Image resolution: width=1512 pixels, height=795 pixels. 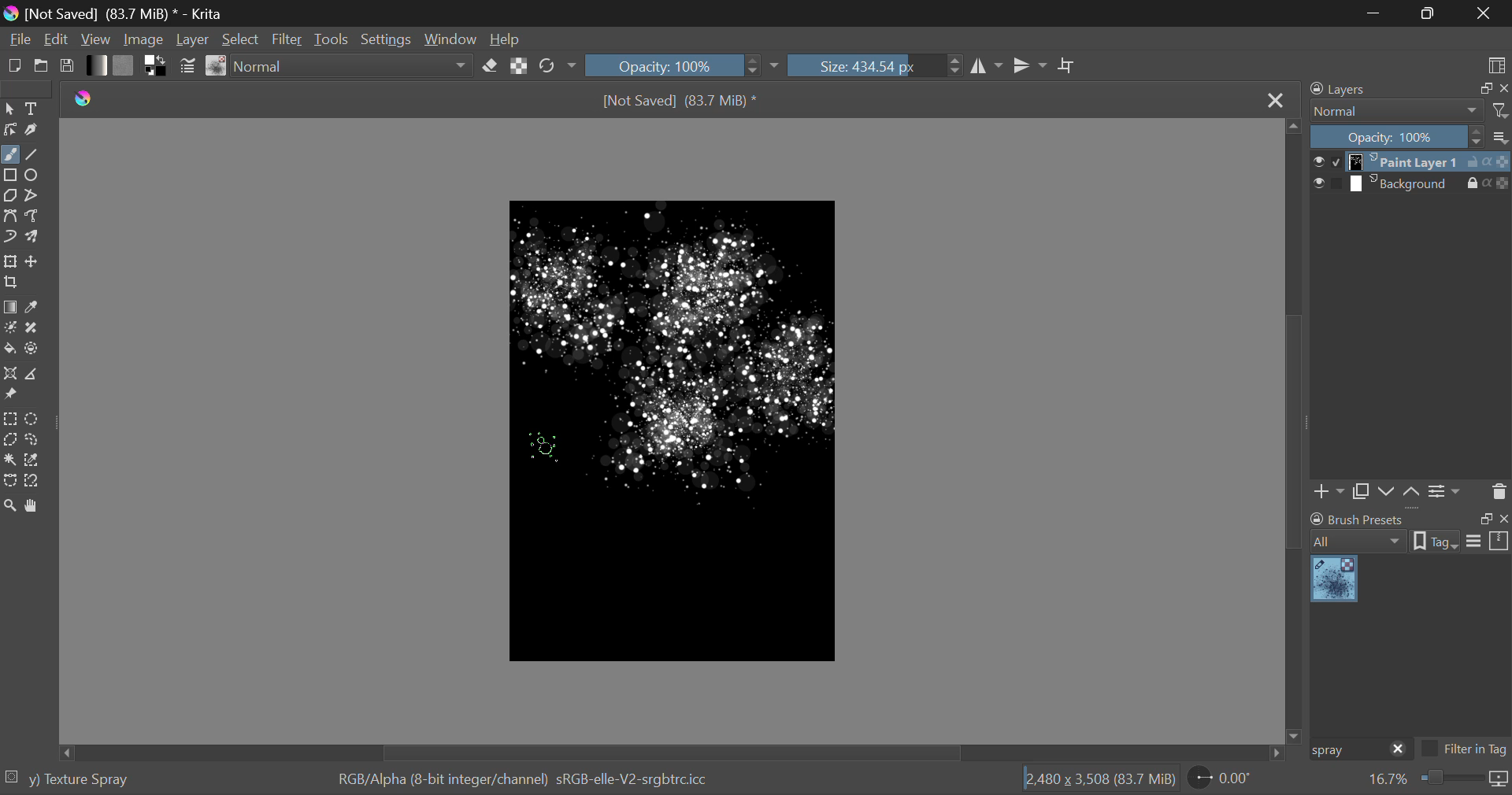 What do you see at coordinates (32, 156) in the screenshot?
I see `Line` at bounding box center [32, 156].